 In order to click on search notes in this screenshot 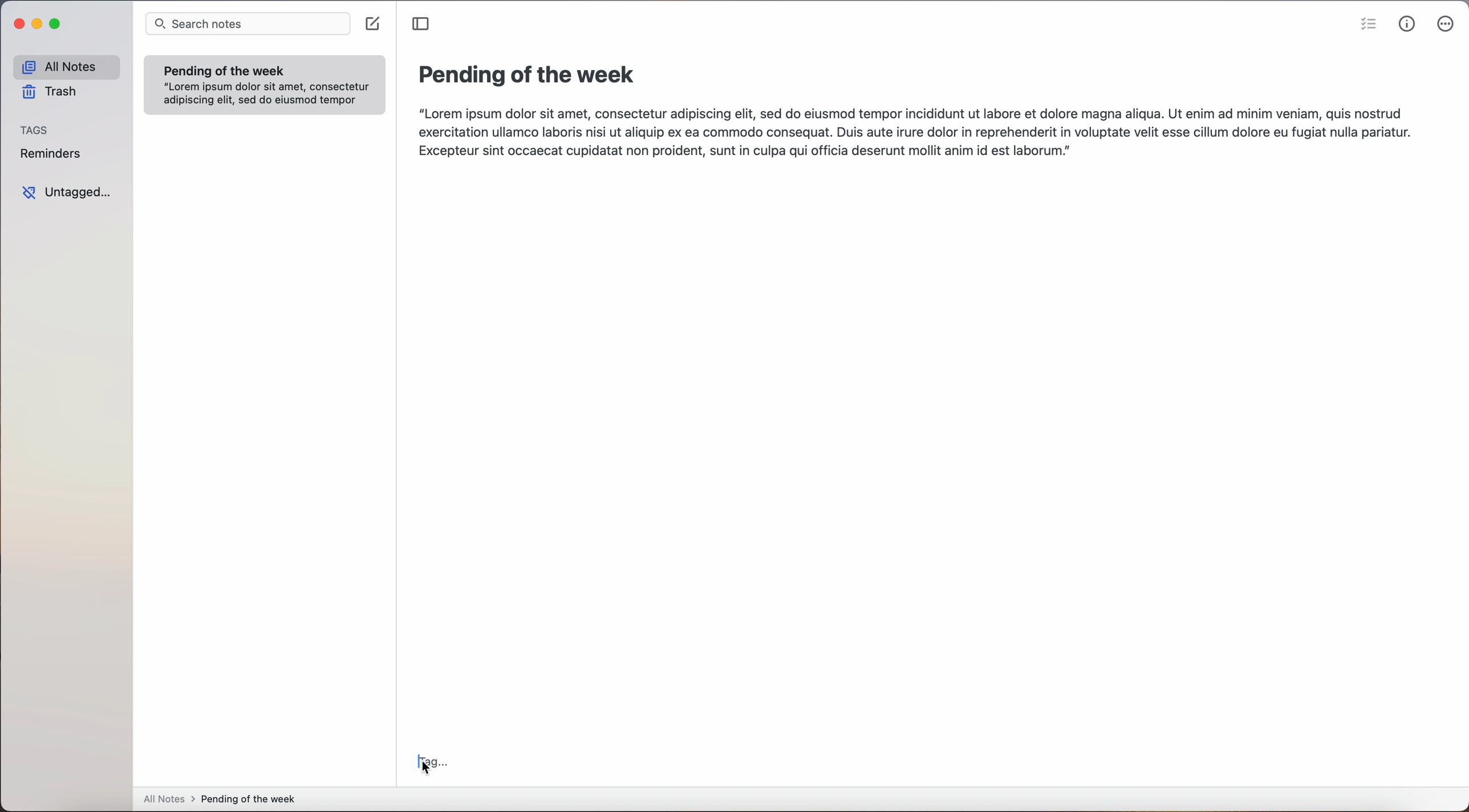, I will do `click(249, 23)`.